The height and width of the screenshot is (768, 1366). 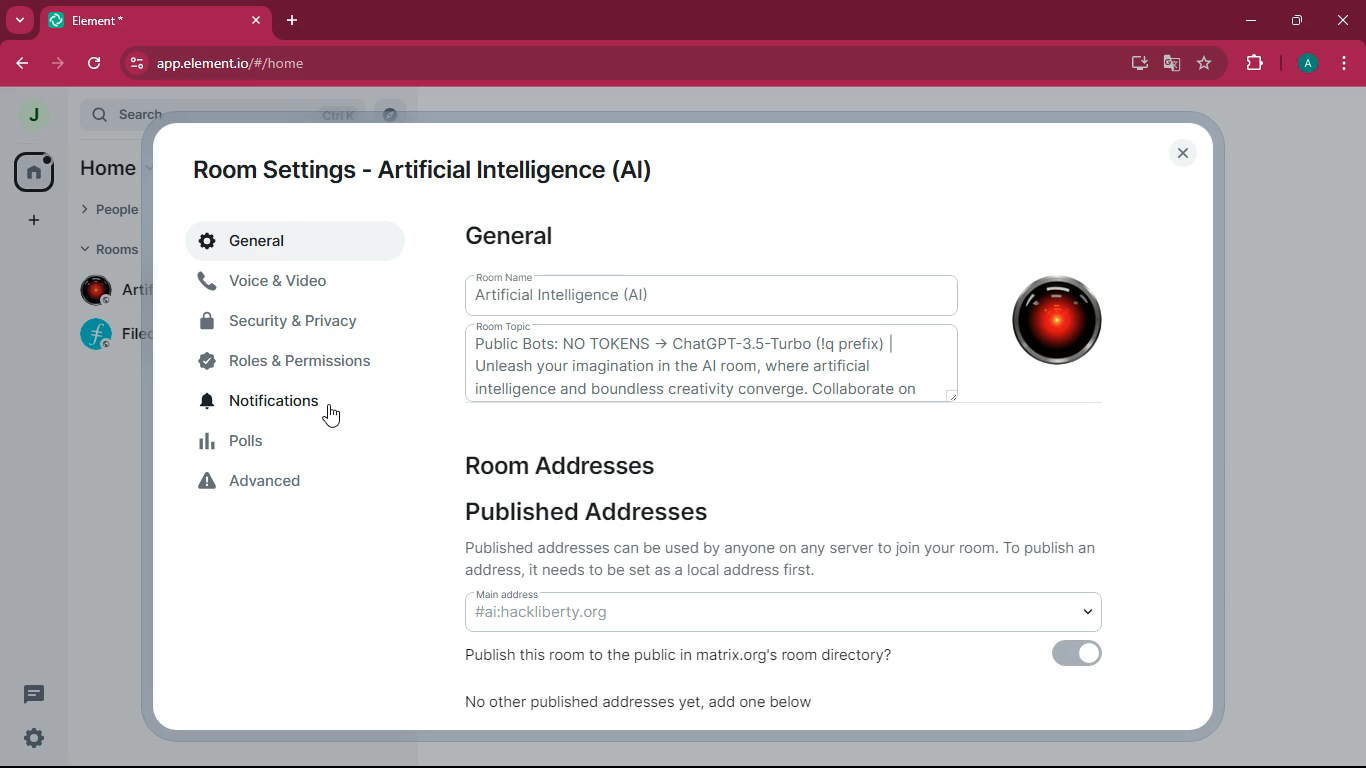 What do you see at coordinates (294, 284) in the screenshot?
I see `voice and video` at bounding box center [294, 284].